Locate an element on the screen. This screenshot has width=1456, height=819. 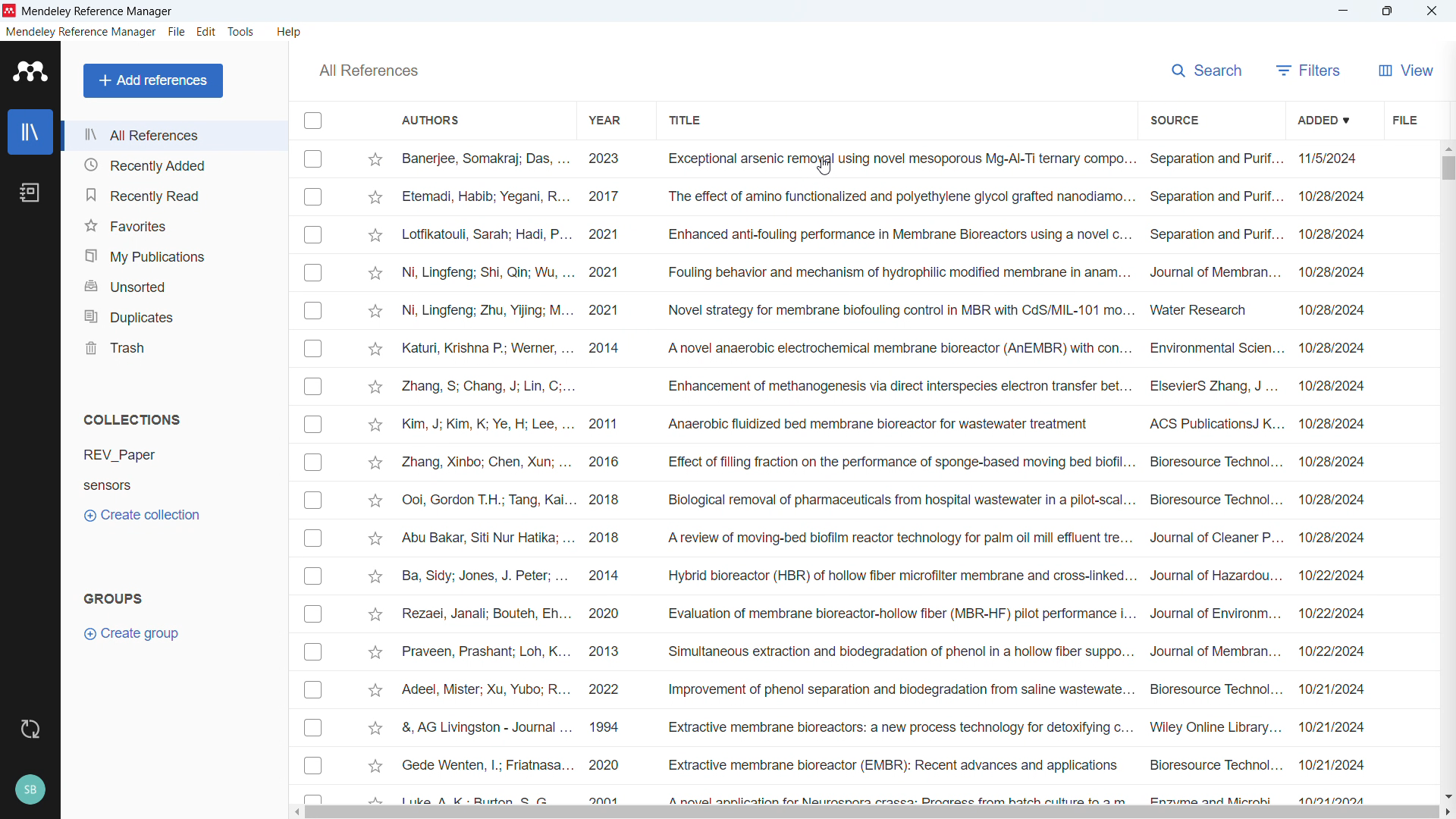
Tools  is located at coordinates (243, 32).